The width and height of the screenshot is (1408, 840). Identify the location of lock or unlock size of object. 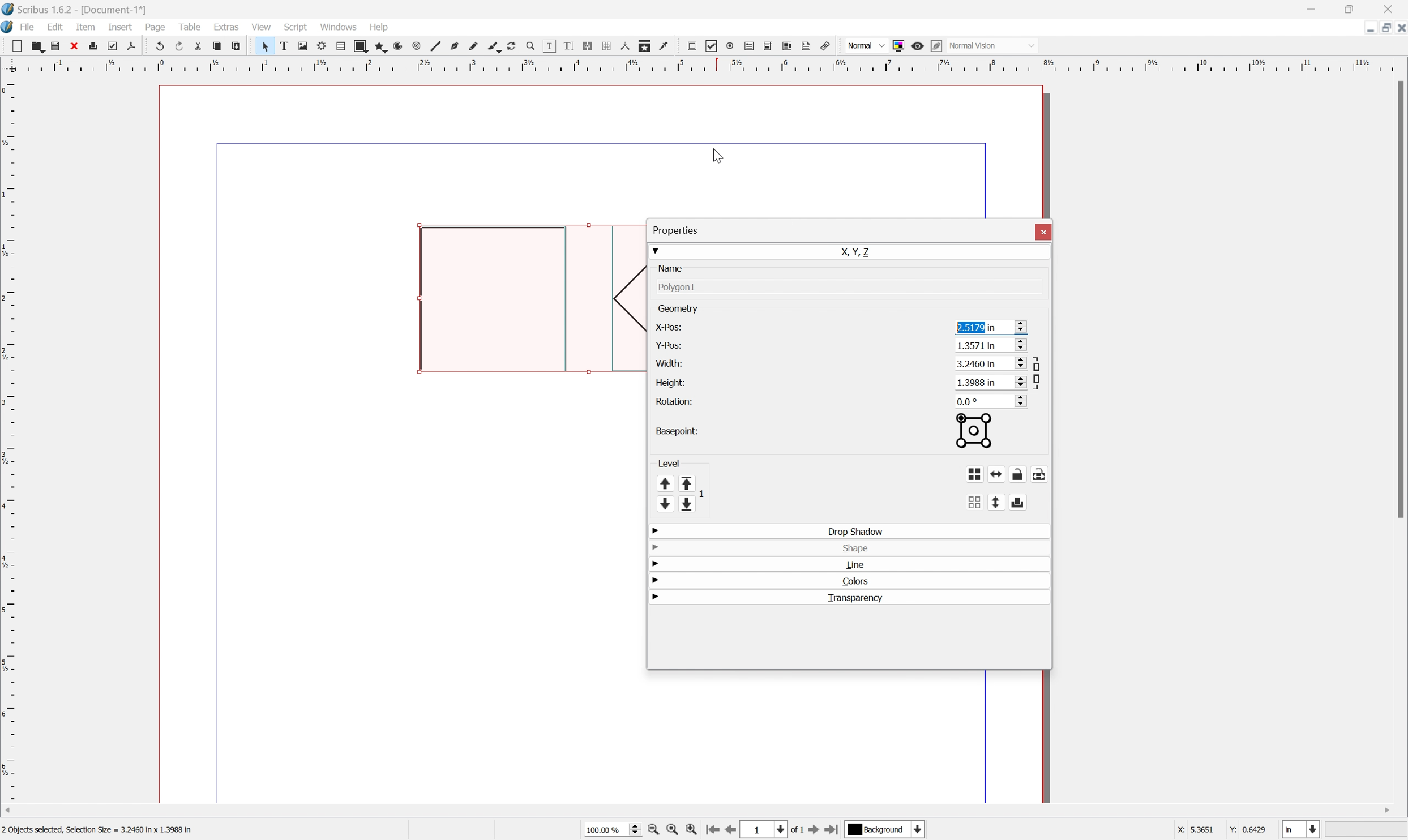
(1042, 474).